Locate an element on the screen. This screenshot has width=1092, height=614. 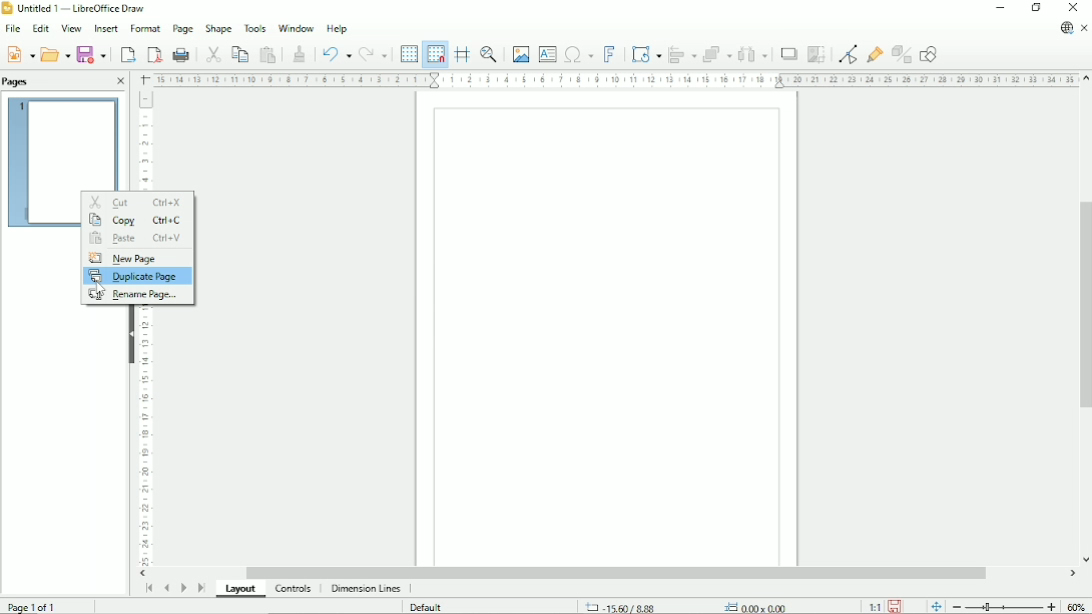
Page is located at coordinates (182, 29).